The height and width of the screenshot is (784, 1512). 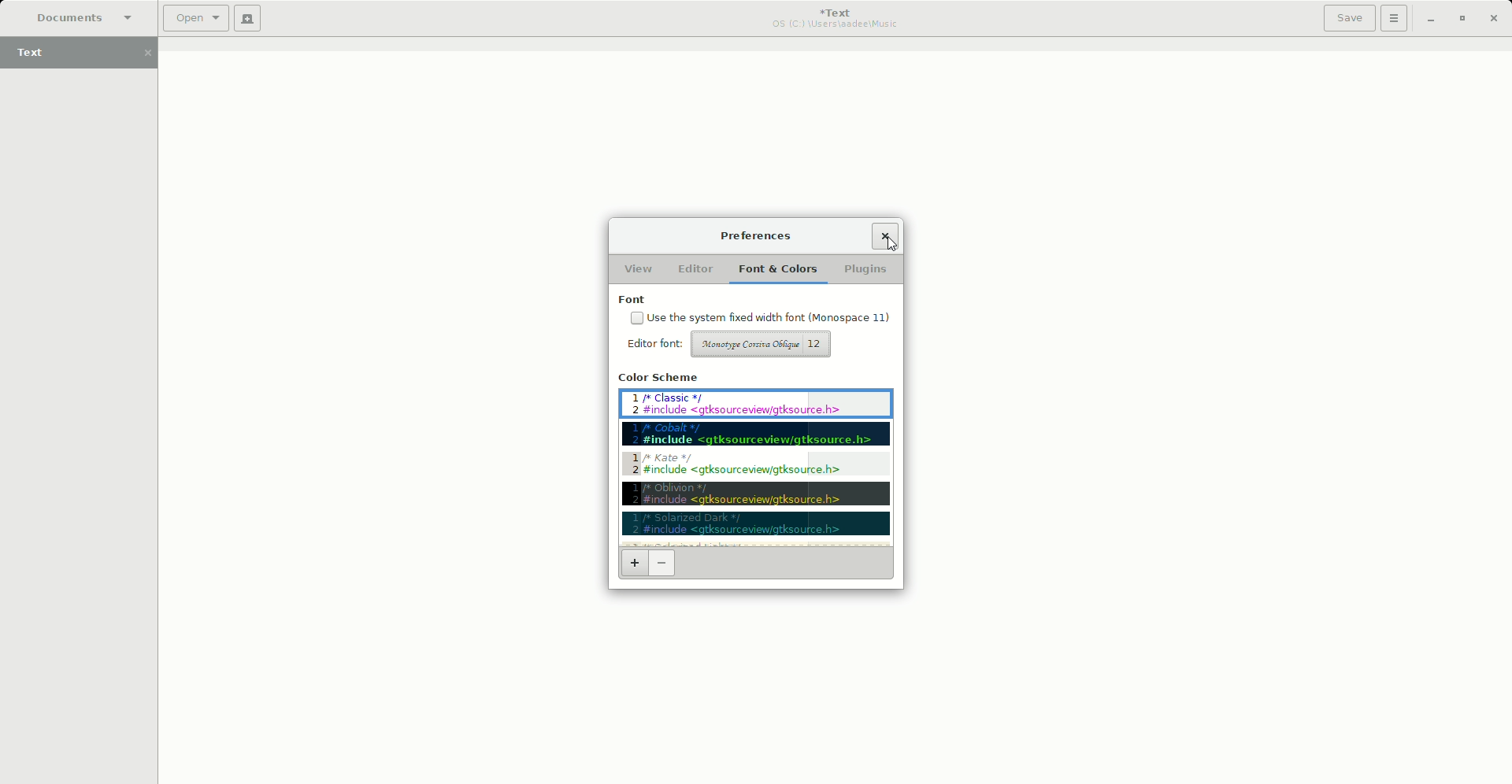 I want to click on Close, so click(x=885, y=235).